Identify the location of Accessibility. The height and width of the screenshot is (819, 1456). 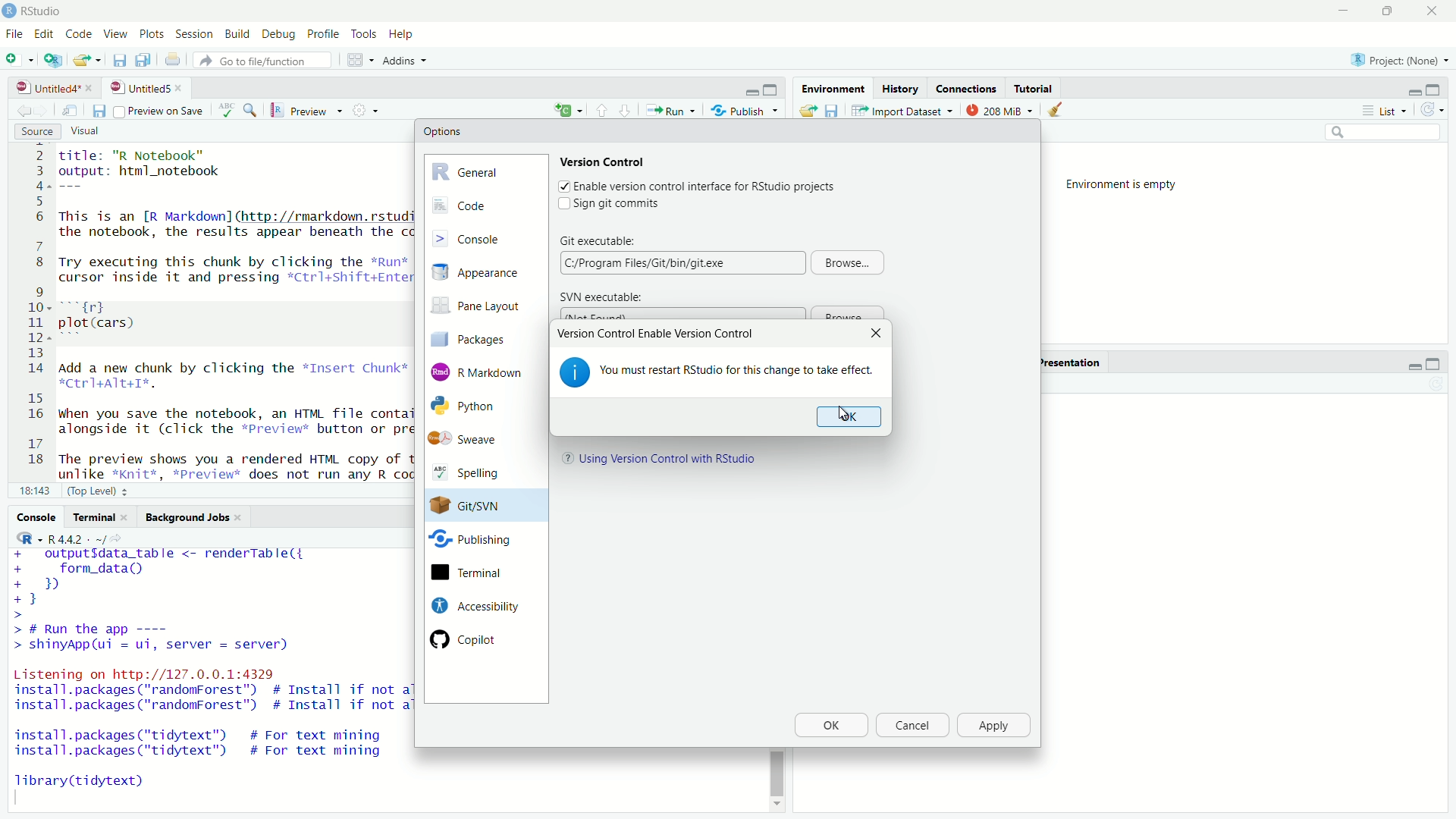
(473, 605).